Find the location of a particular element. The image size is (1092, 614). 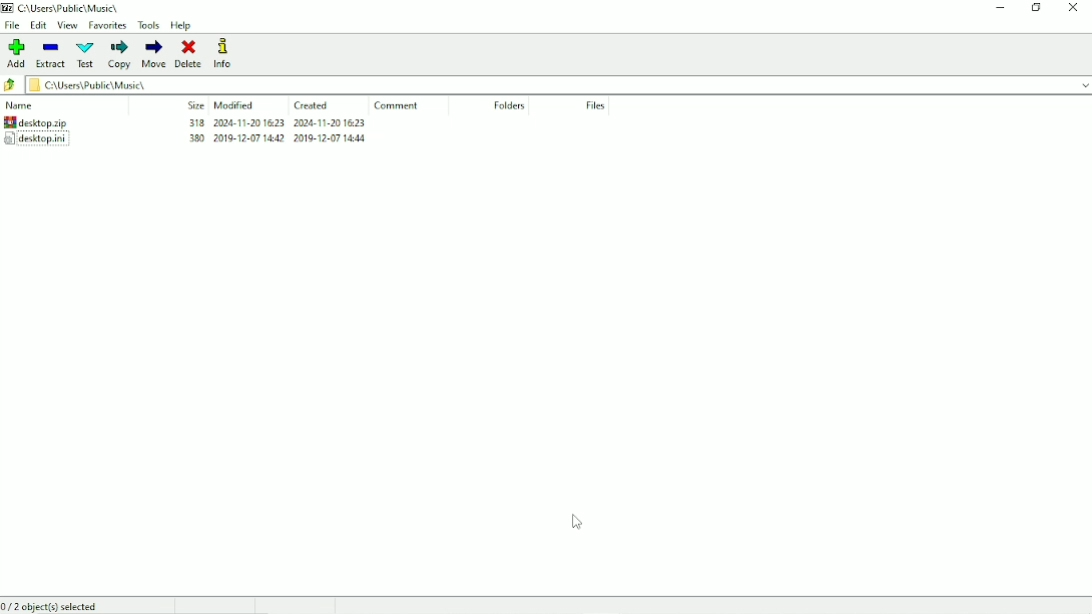

Location is located at coordinates (65, 8).